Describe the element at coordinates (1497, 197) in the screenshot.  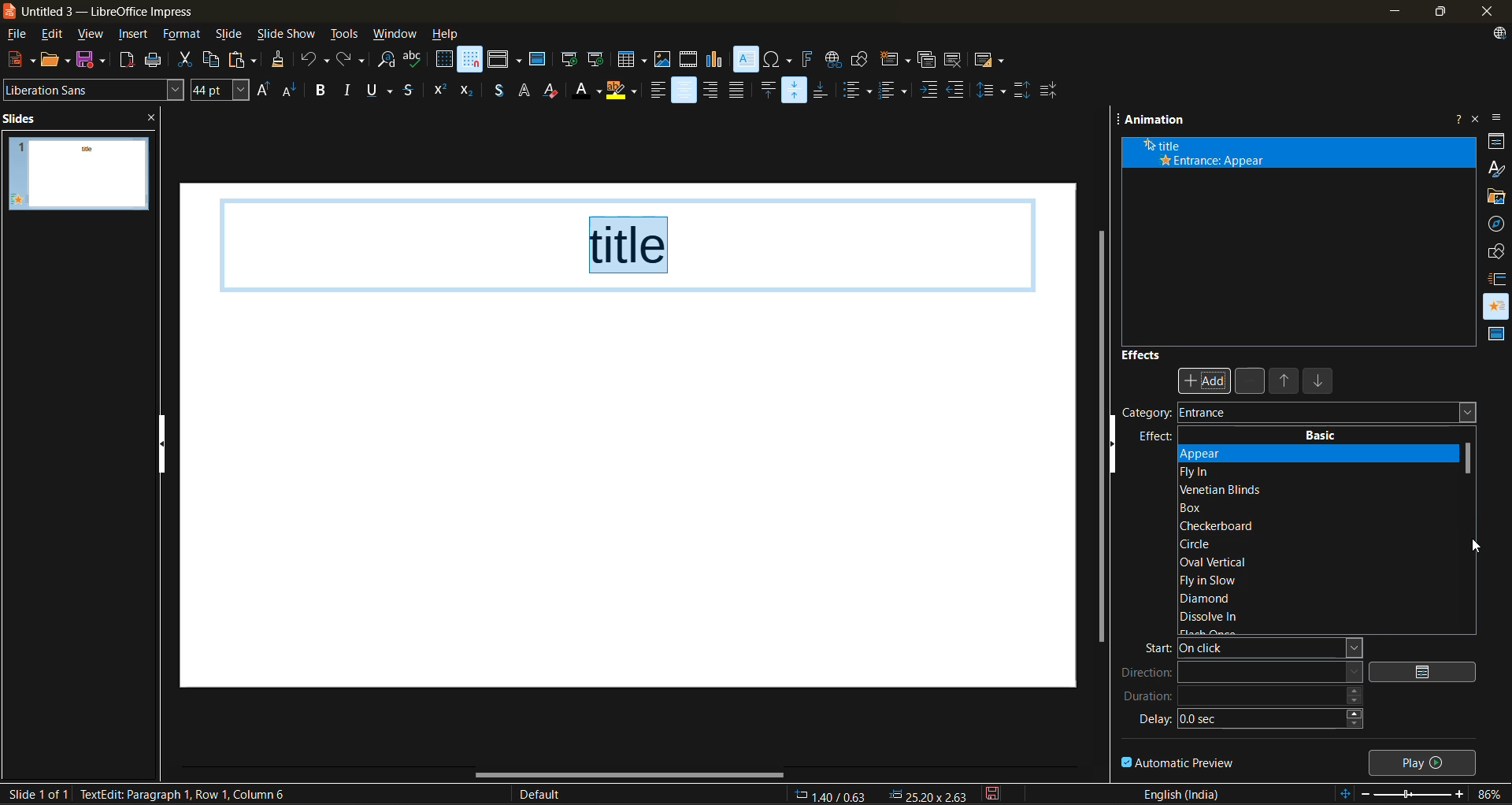
I see `gallery` at that location.